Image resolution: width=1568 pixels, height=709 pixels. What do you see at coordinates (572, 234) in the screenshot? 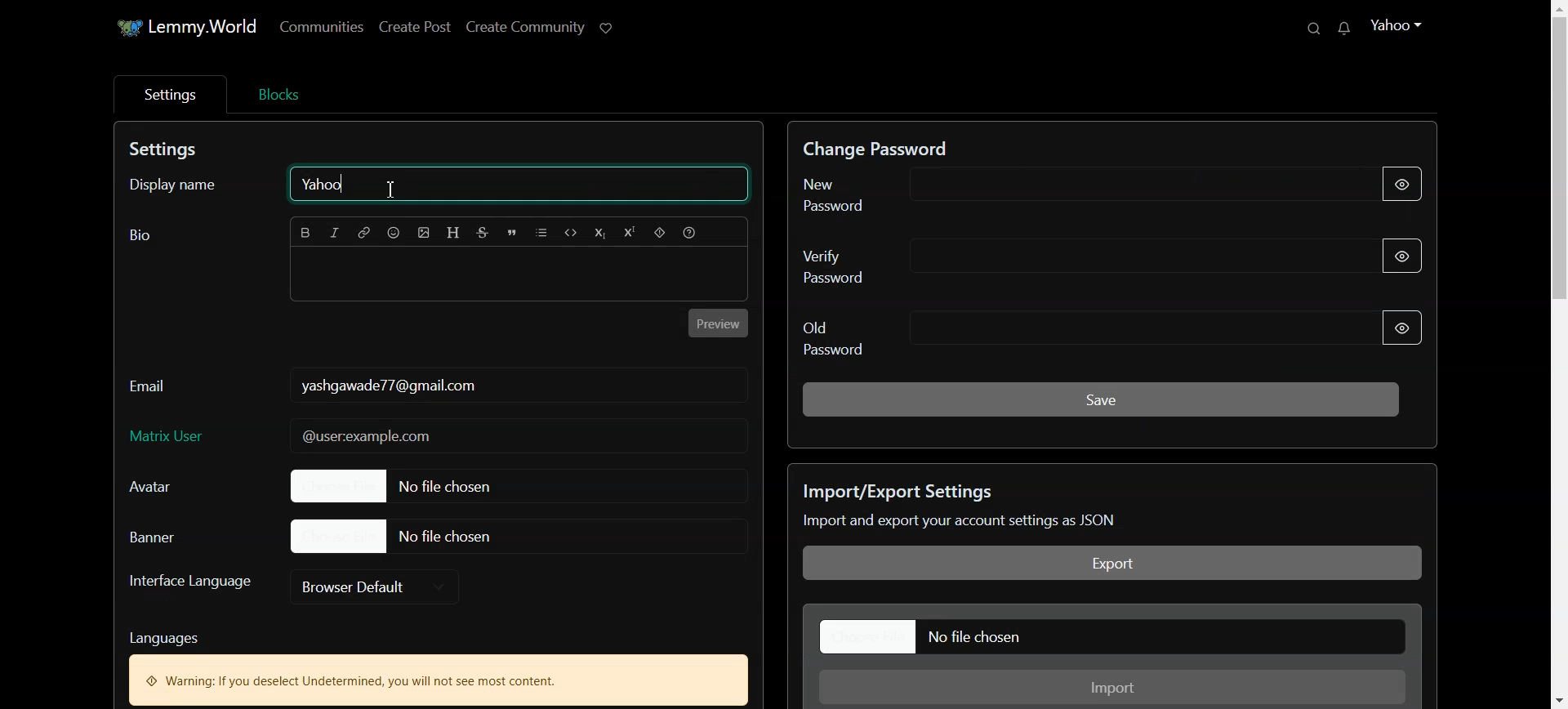
I see `Code` at bounding box center [572, 234].